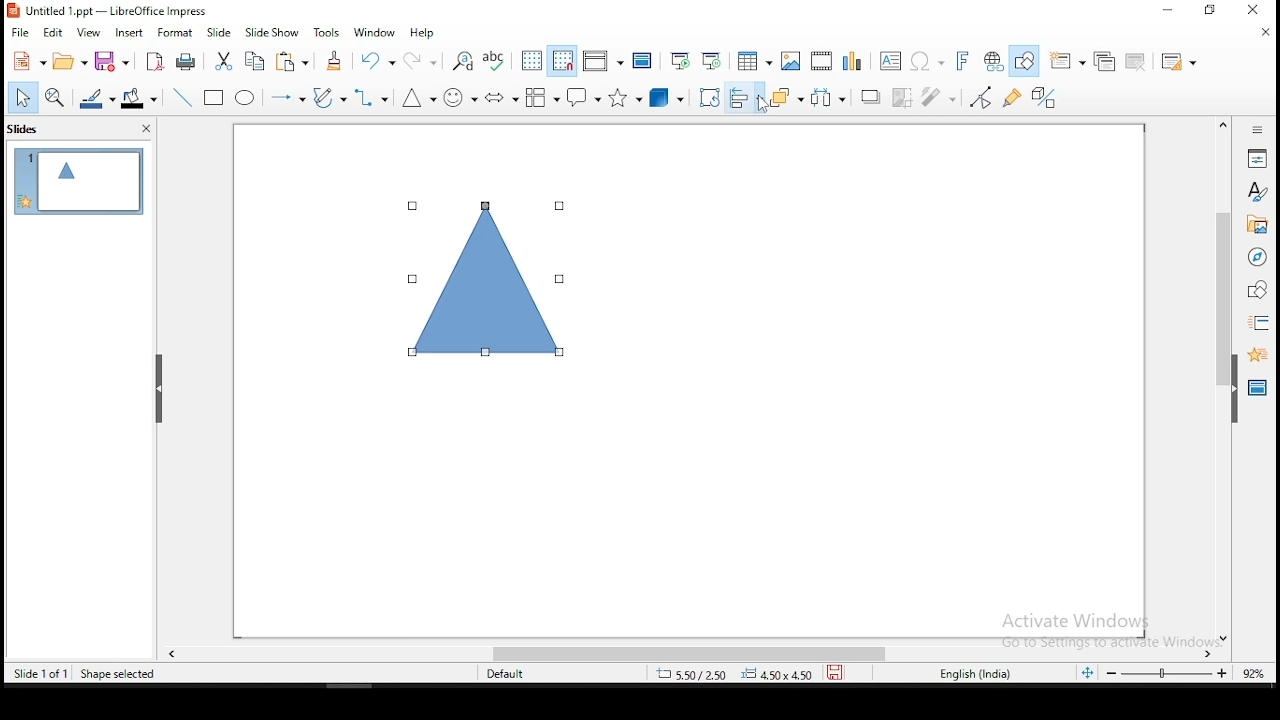 The height and width of the screenshot is (720, 1280). What do you see at coordinates (460, 97) in the screenshot?
I see `symbol shapes` at bounding box center [460, 97].